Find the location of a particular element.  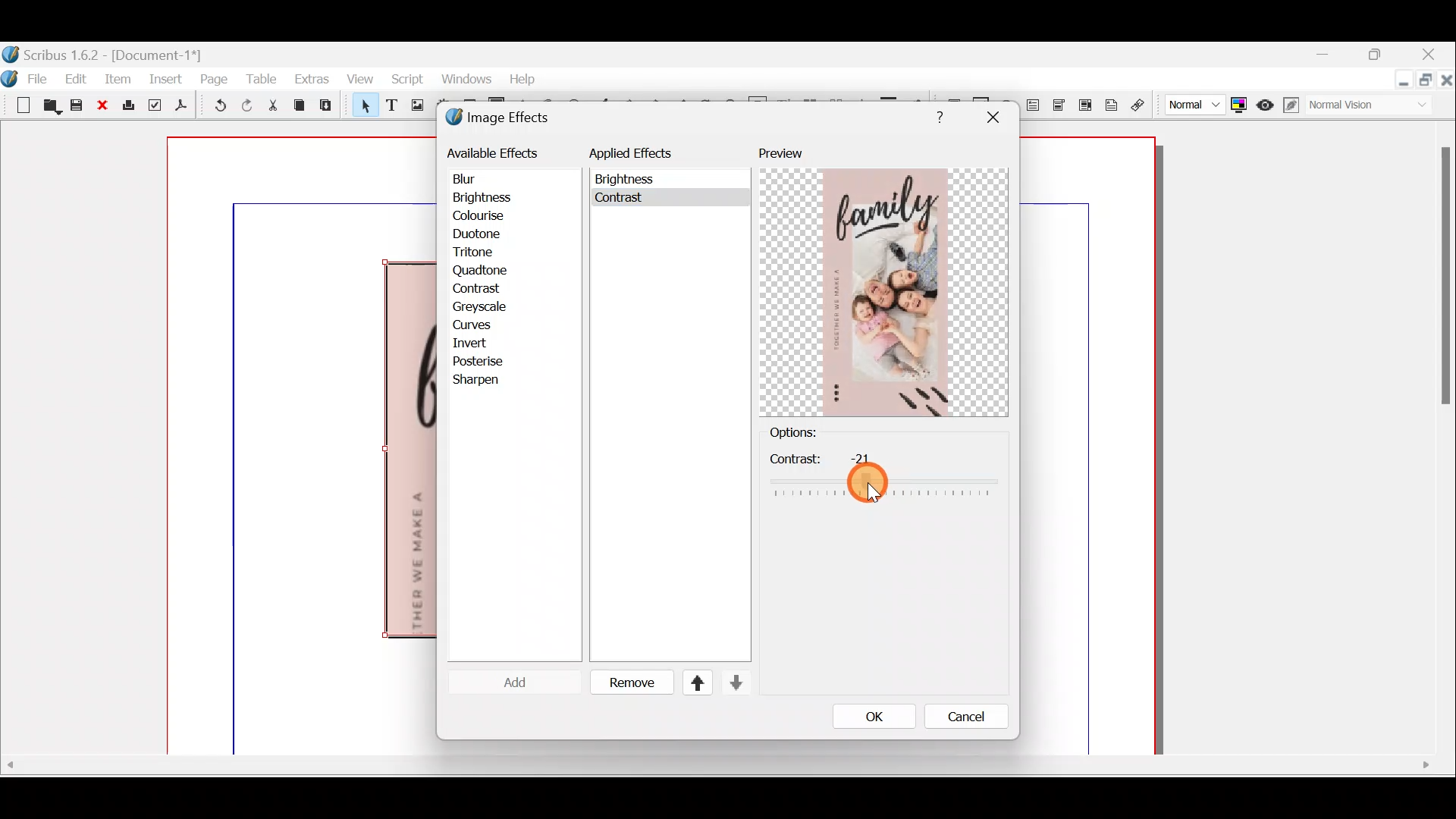

canvas is located at coordinates (1089, 447).